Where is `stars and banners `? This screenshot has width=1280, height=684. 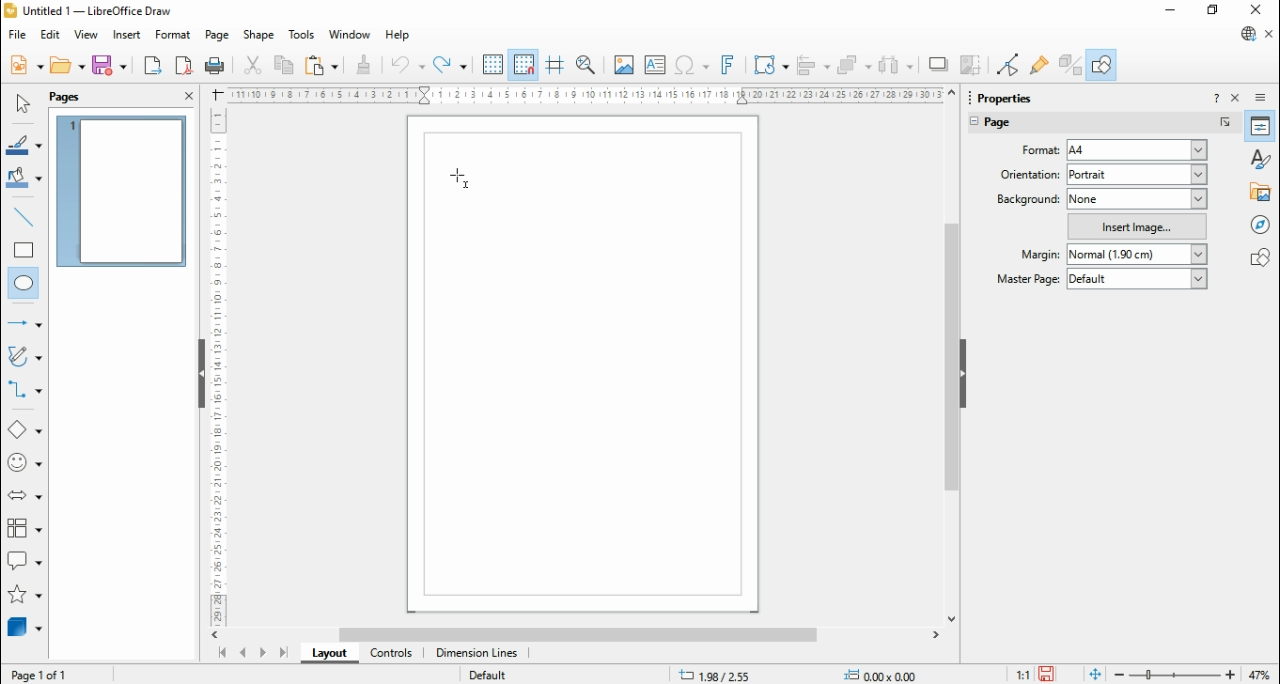
stars and banners  is located at coordinates (23, 596).